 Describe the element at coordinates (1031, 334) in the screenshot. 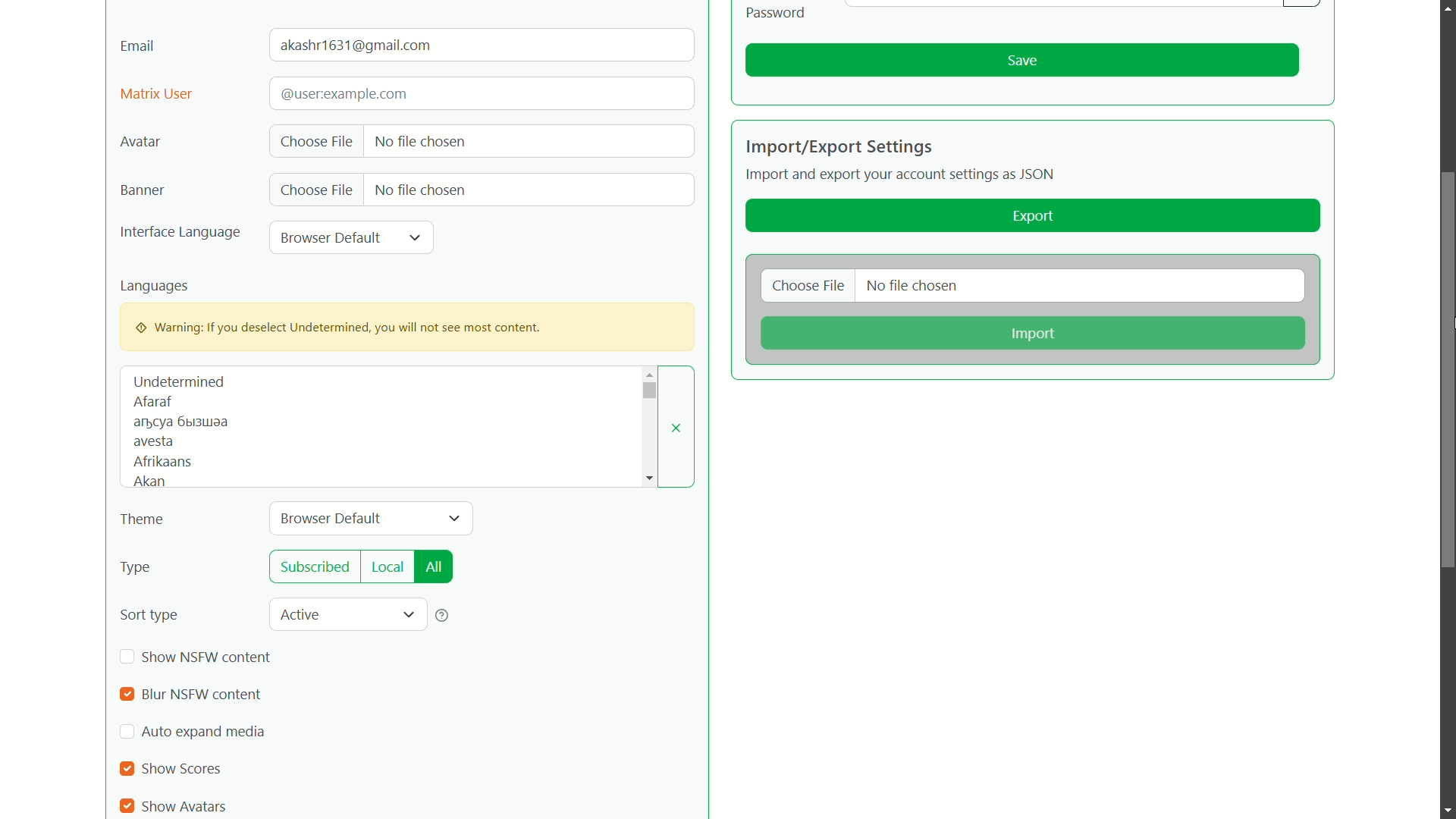

I see `import` at that location.